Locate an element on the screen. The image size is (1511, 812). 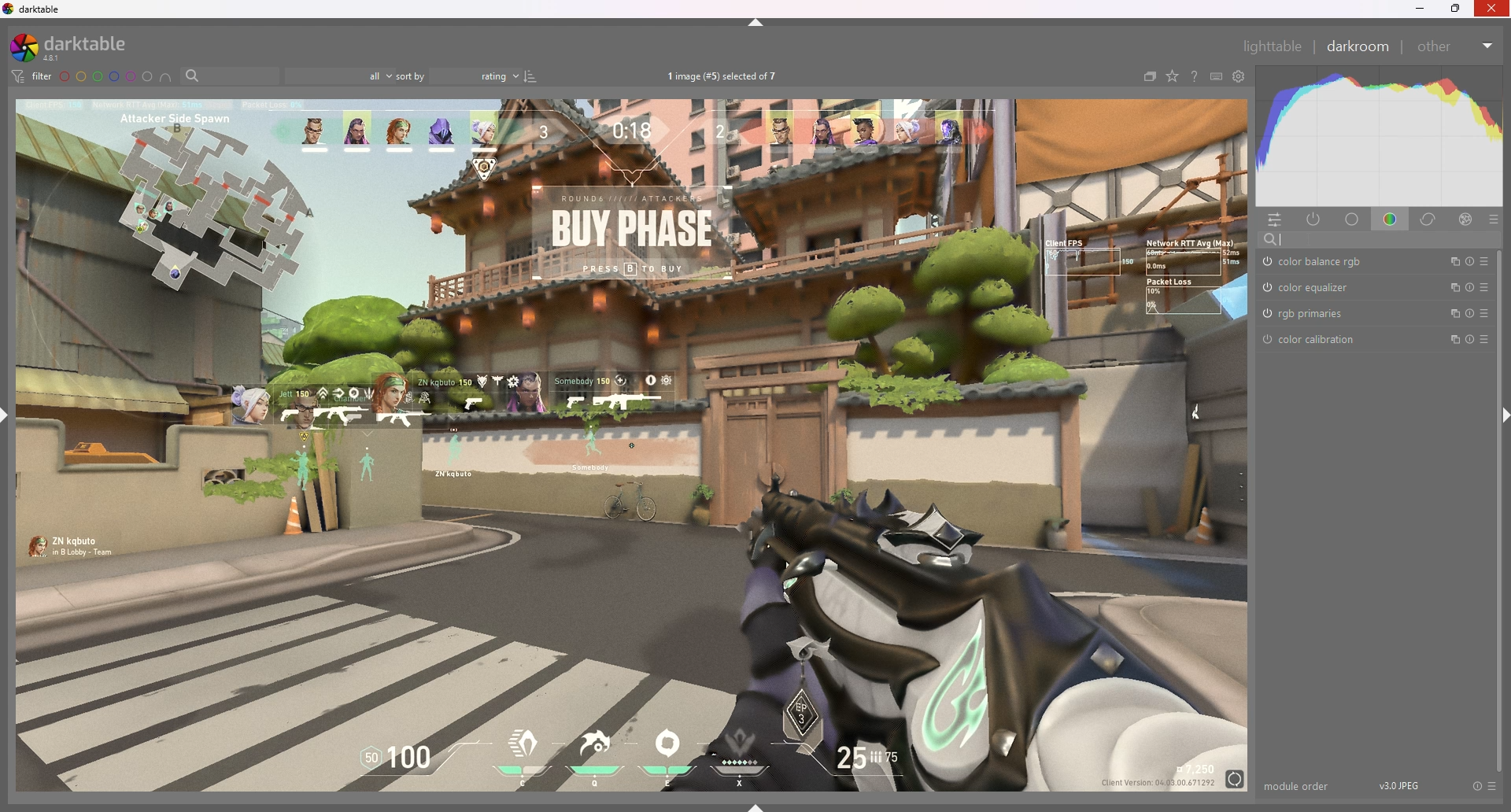
presets is located at coordinates (1485, 261).